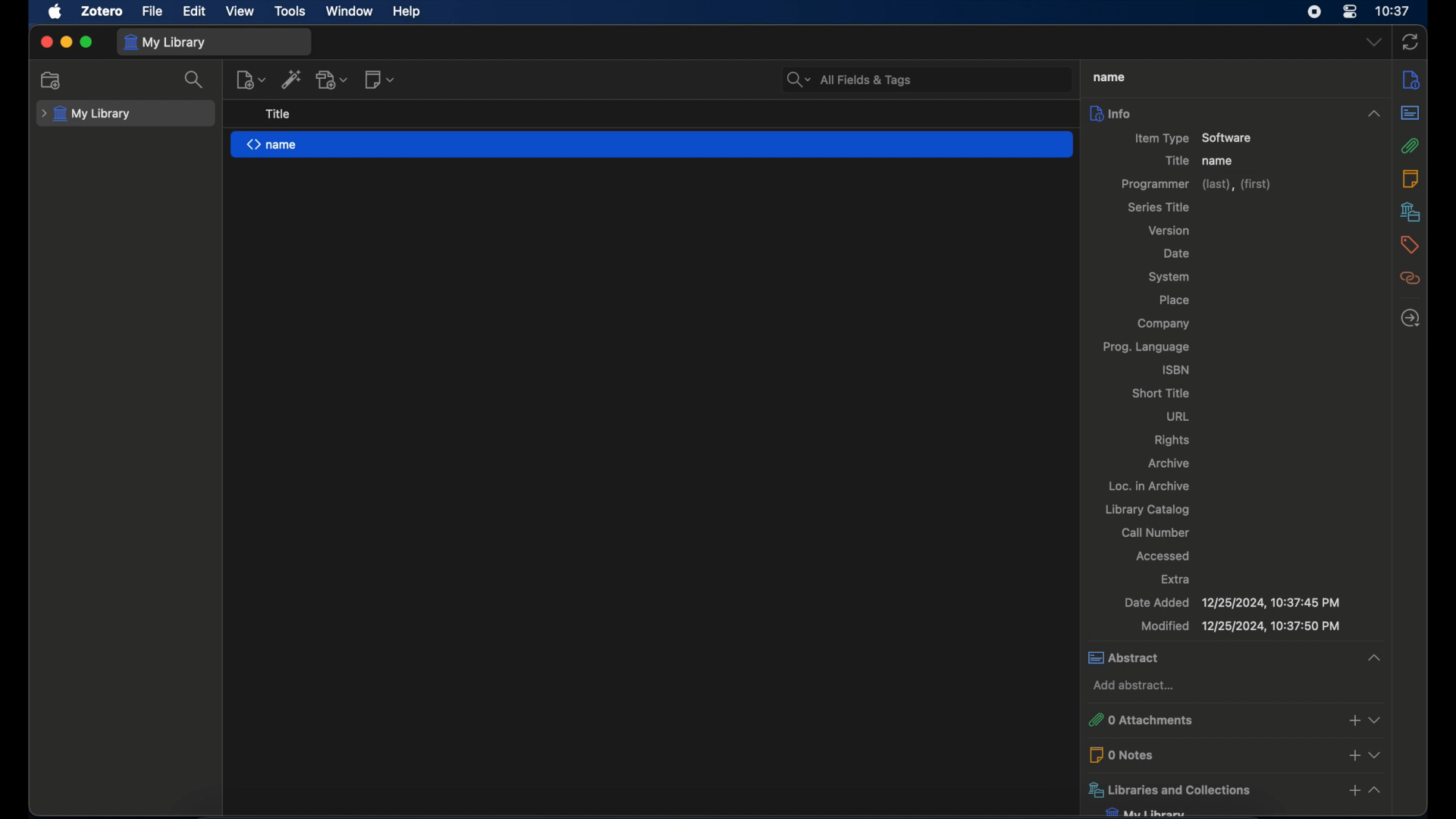  I want to click on collapse, so click(1370, 111).